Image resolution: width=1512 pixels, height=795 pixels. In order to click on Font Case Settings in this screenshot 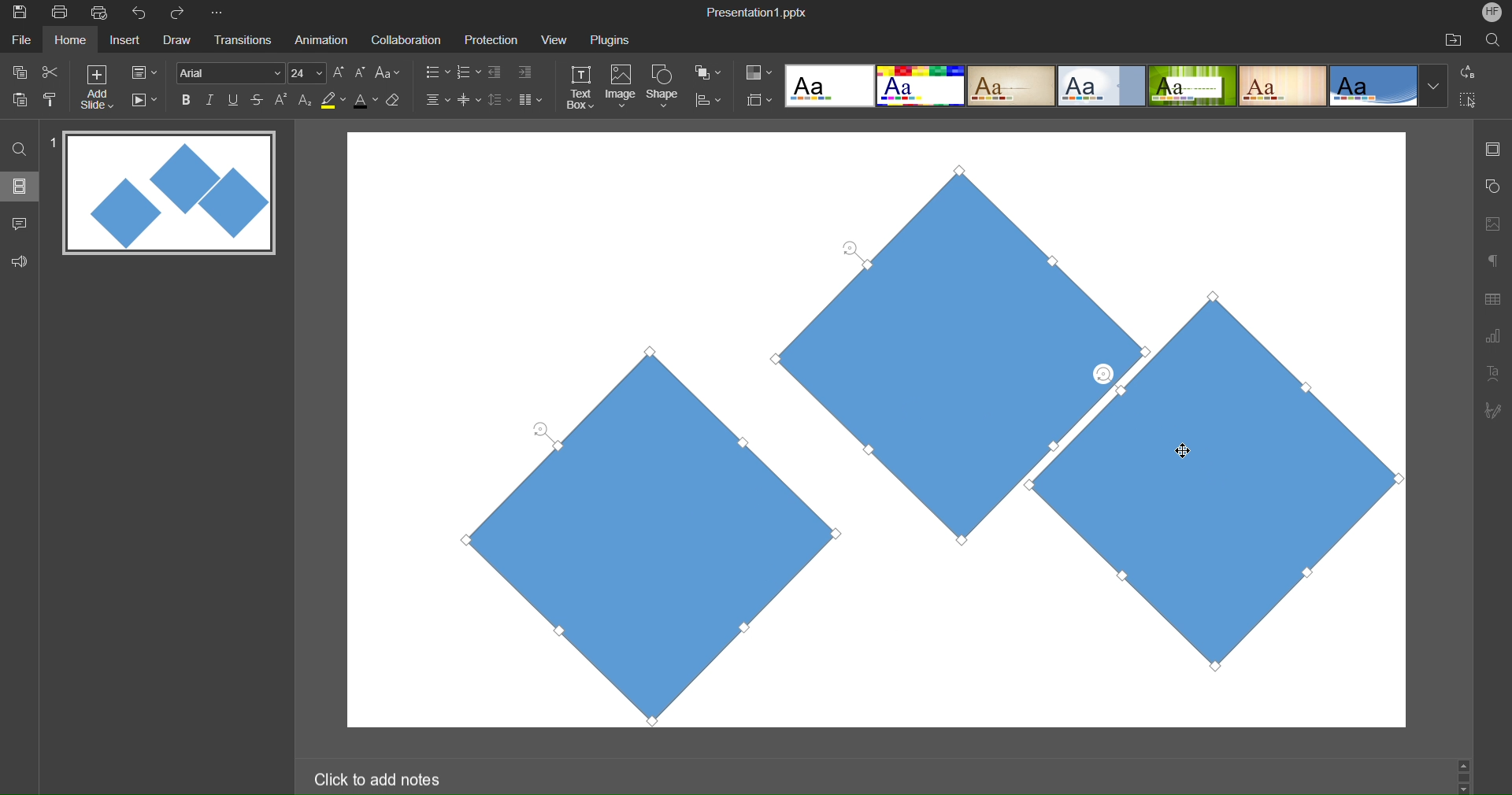, I will do `click(388, 72)`.